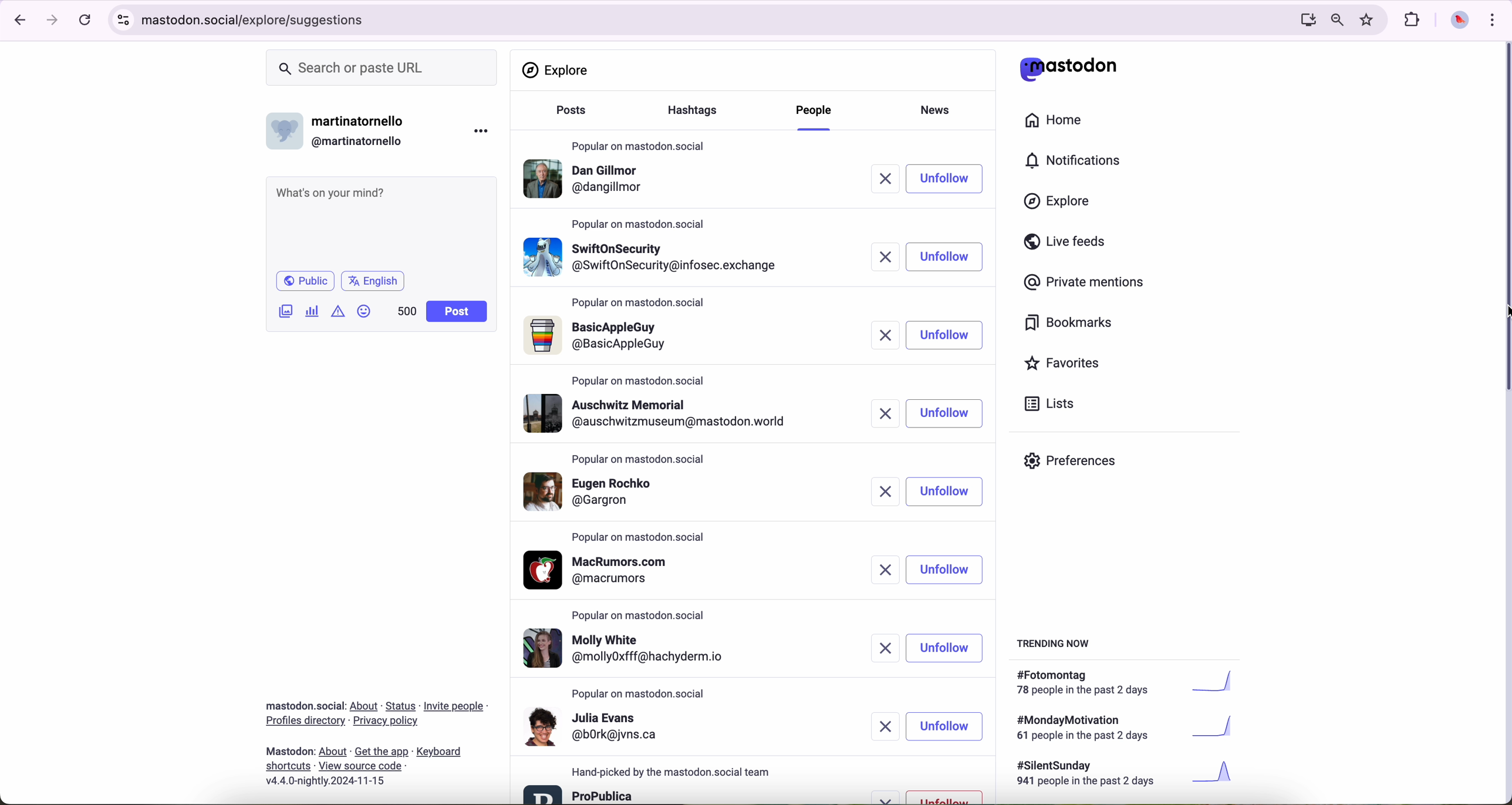  I want to click on attach image, so click(286, 311).